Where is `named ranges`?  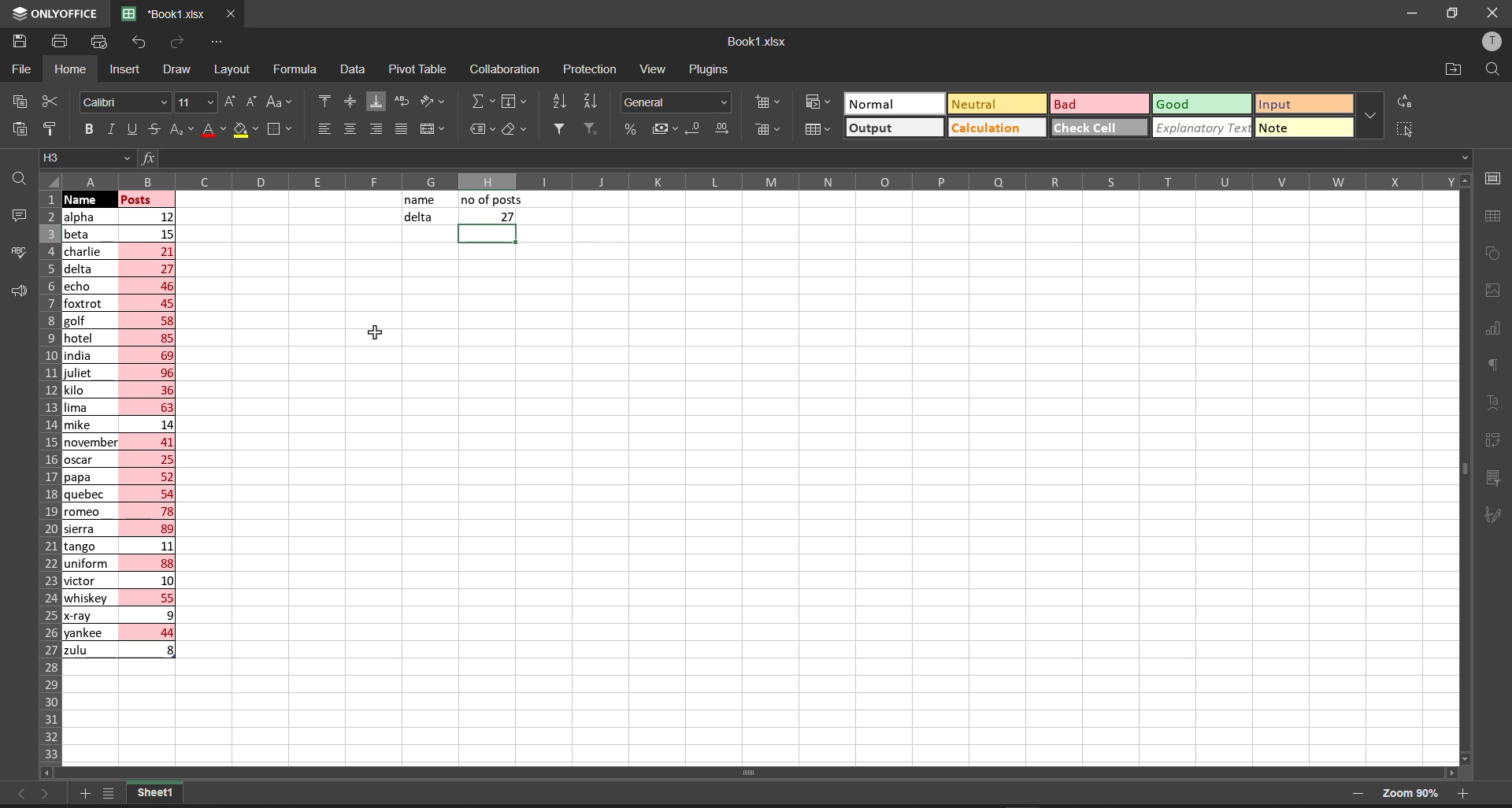
named ranges is located at coordinates (481, 130).